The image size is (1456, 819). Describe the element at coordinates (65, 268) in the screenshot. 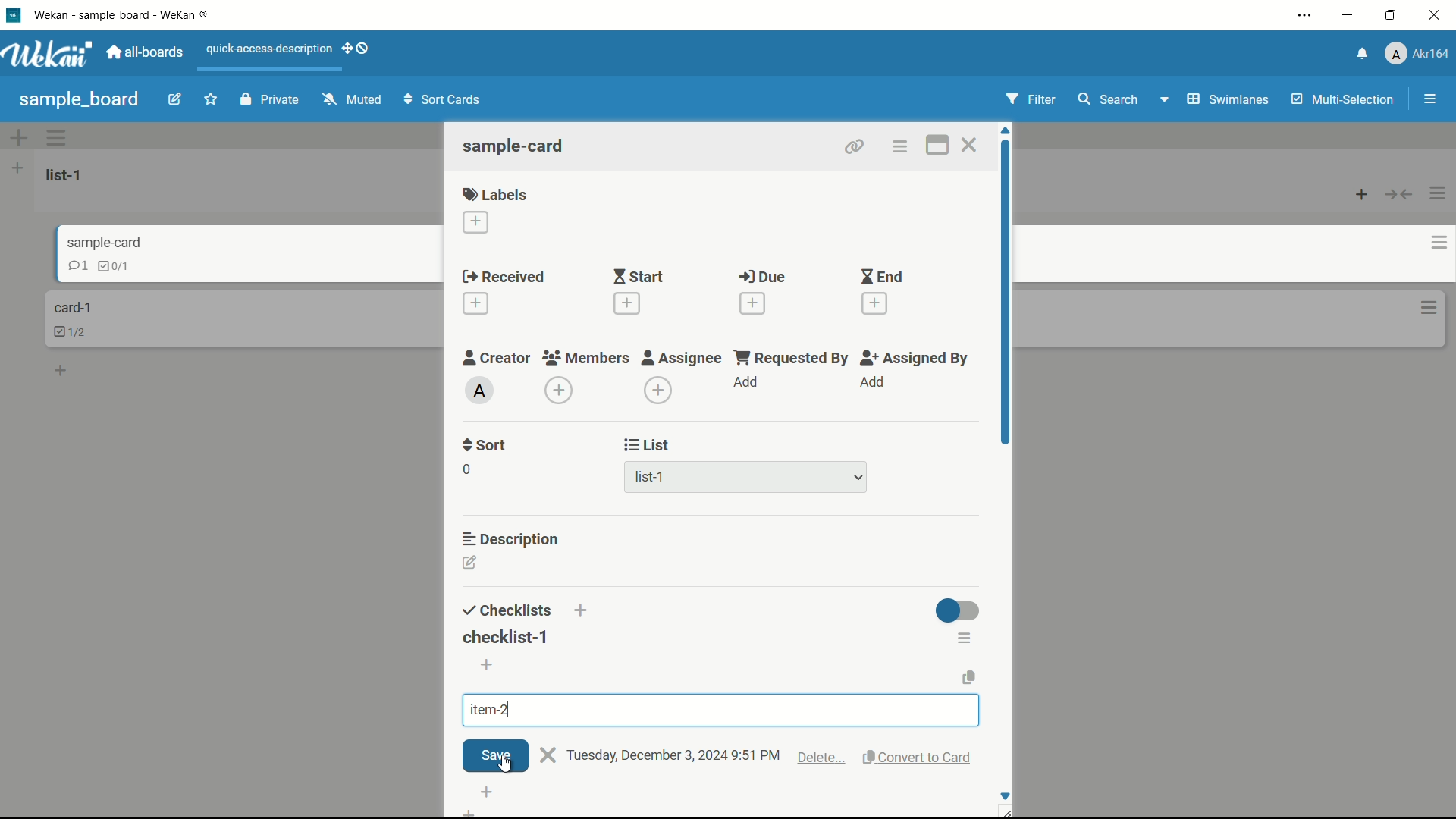

I see `comment` at that location.